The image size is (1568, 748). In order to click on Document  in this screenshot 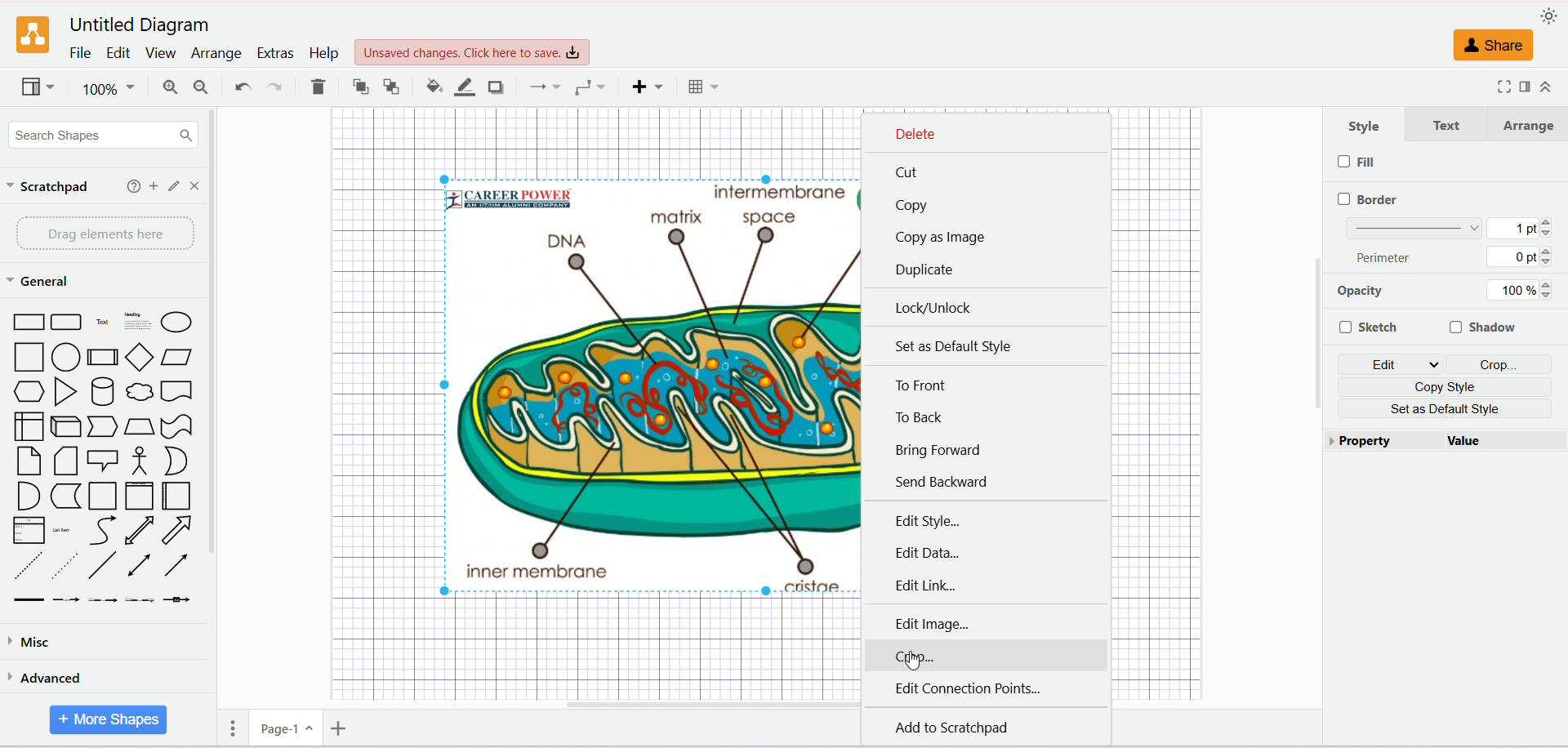, I will do `click(178, 394)`.